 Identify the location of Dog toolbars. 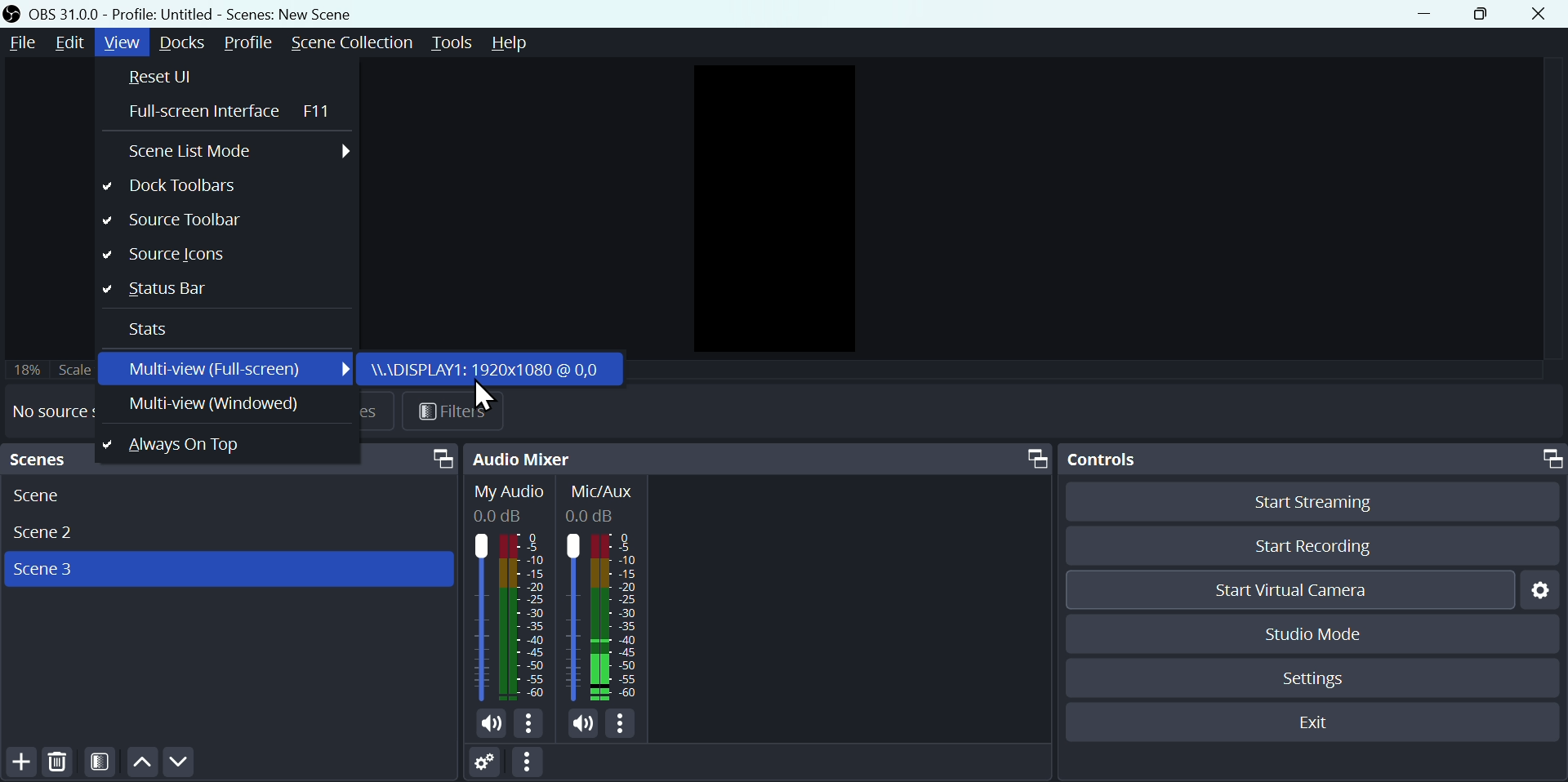
(223, 189).